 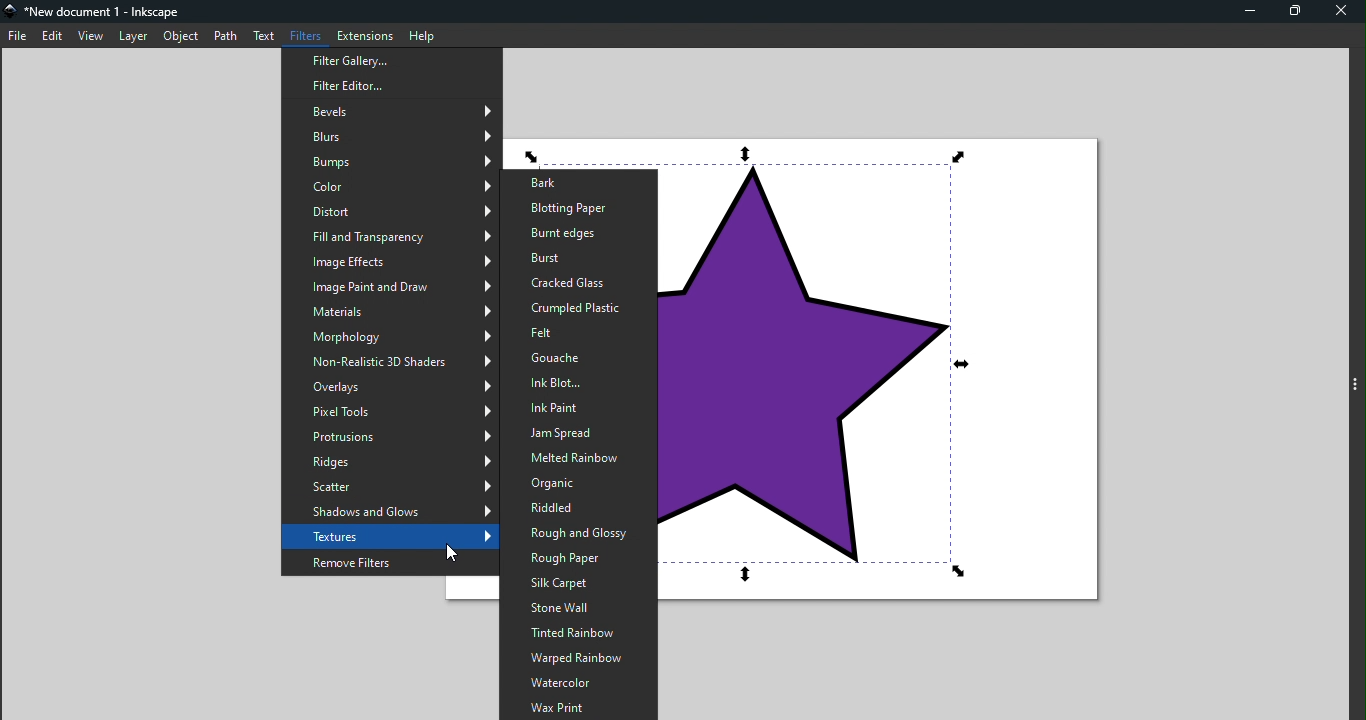 What do you see at coordinates (573, 510) in the screenshot?
I see `Riddled` at bounding box center [573, 510].